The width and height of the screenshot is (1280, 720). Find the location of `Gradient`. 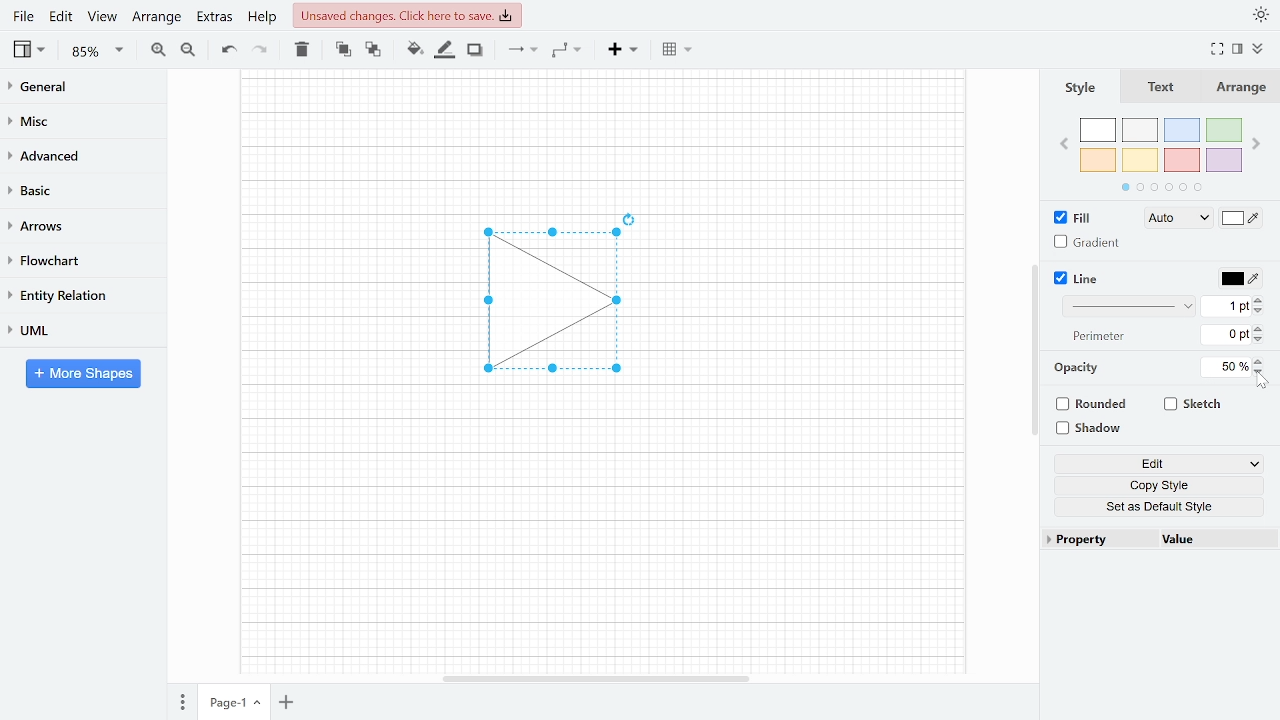

Gradient is located at coordinates (1088, 242).